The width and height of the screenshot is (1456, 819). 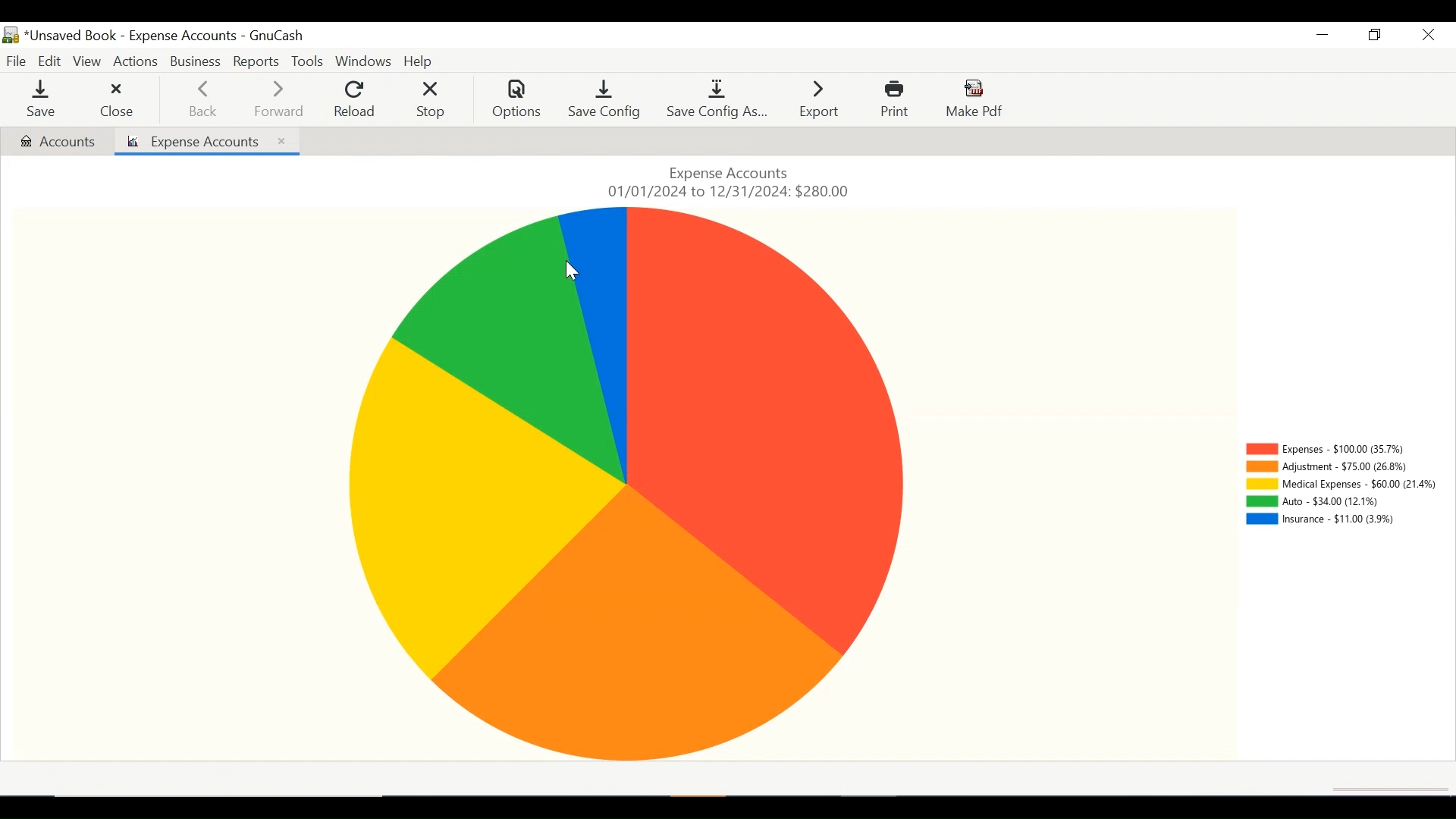 What do you see at coordinates (354, 100) in the screenshot?
I see `Reload` at bounding box center [354, 100].